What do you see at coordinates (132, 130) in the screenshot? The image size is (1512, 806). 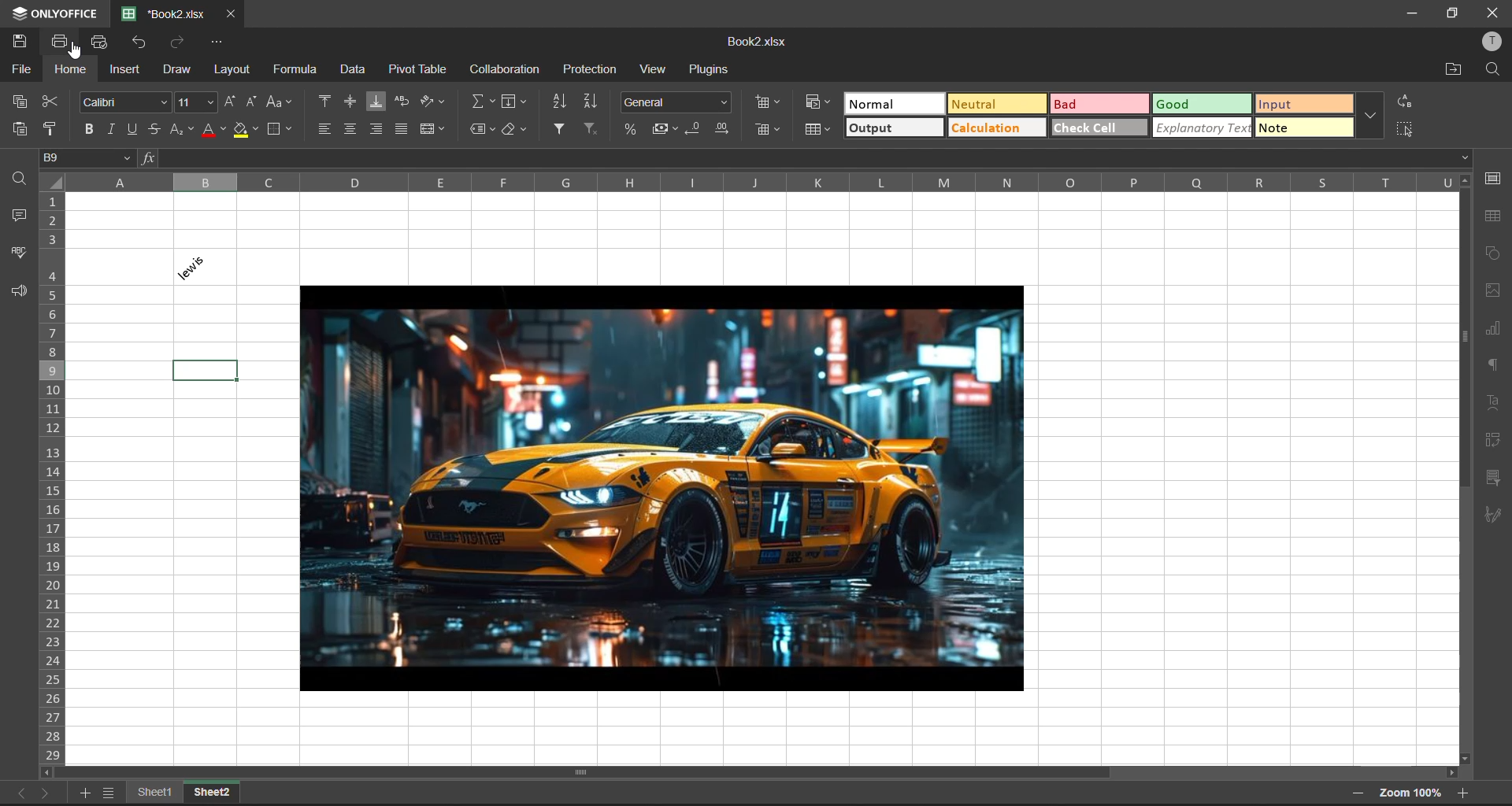 I see `underline` at bounding box center [132, 130].